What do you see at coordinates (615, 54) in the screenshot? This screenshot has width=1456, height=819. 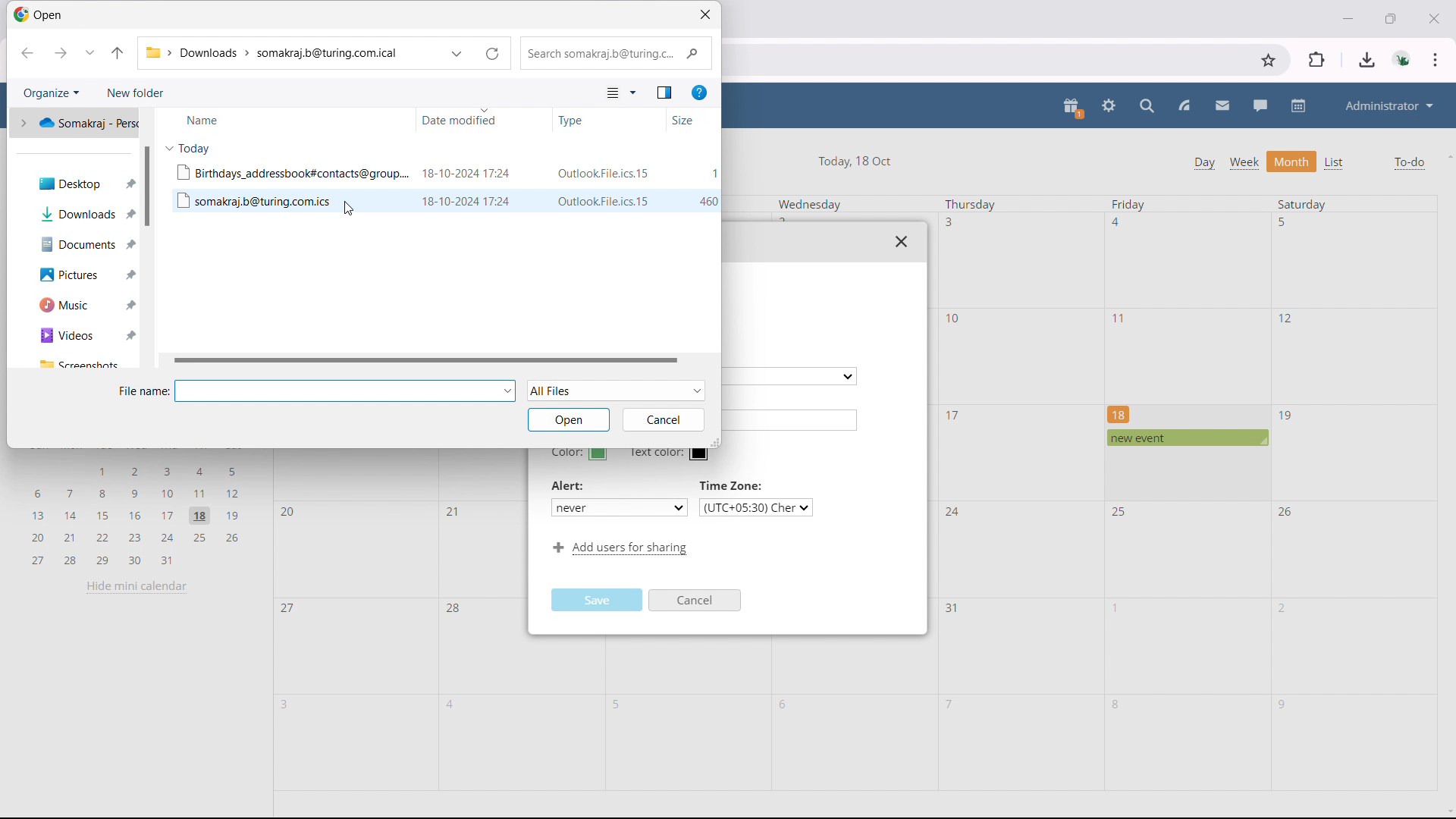 I see `Search somakrajb@turing.c..` at bounding box center [615, 54].